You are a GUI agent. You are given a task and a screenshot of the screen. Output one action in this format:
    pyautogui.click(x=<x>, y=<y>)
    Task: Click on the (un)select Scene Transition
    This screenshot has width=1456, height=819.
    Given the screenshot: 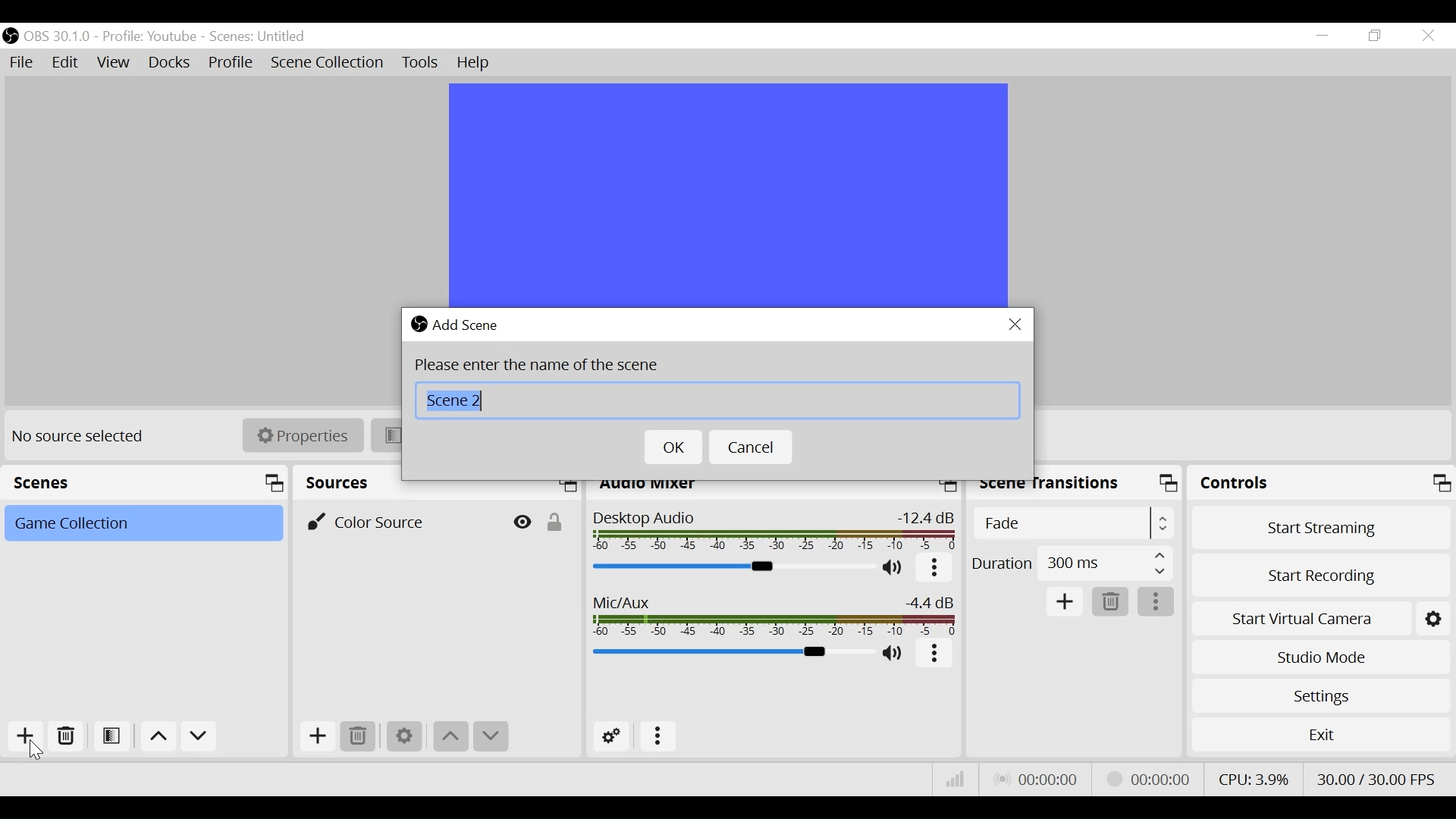 What is the action you would take?
    pyautogui.click(x=1071, y=523)
    